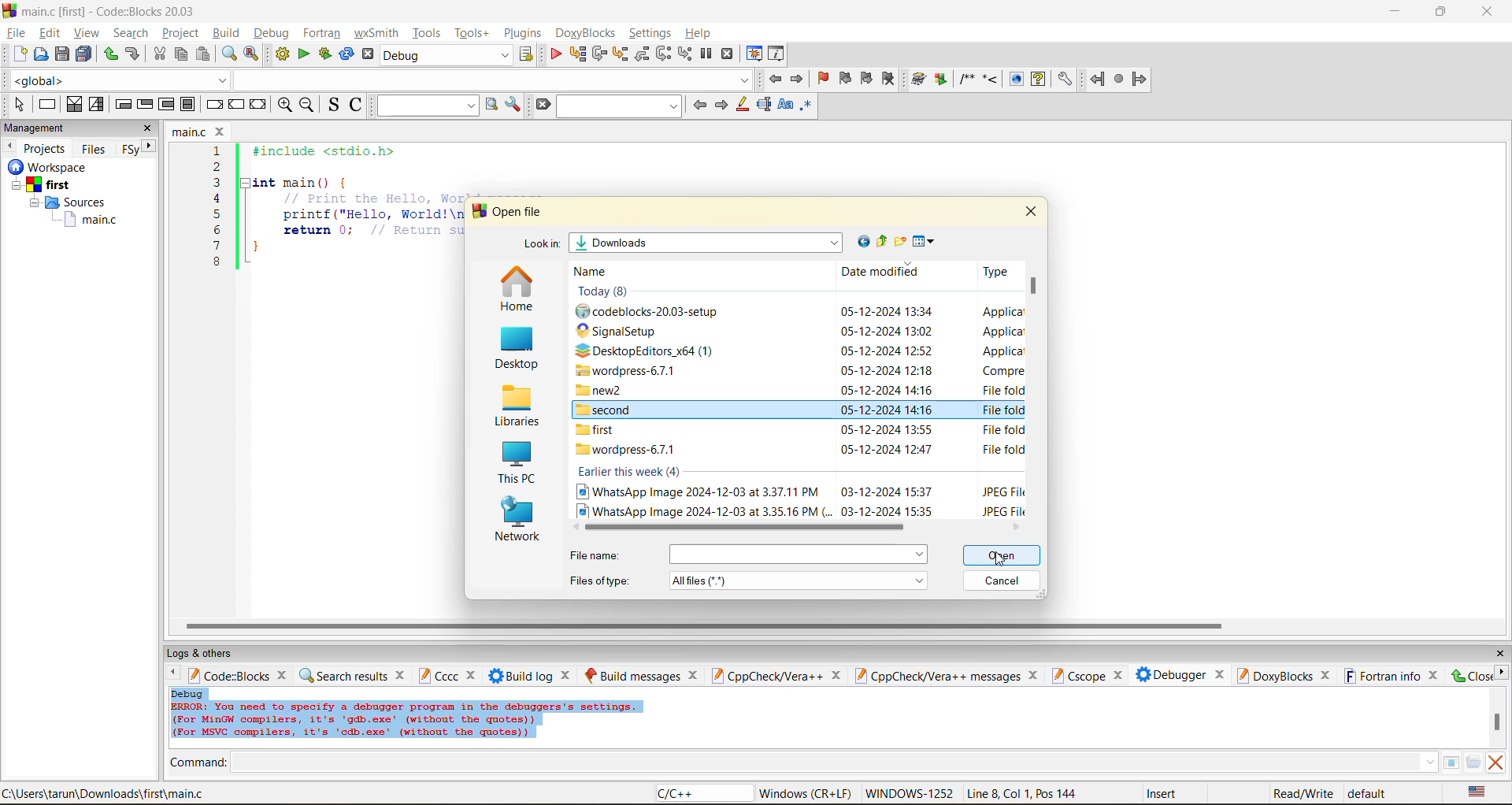  I want to click on Error info, so click(406, 721).